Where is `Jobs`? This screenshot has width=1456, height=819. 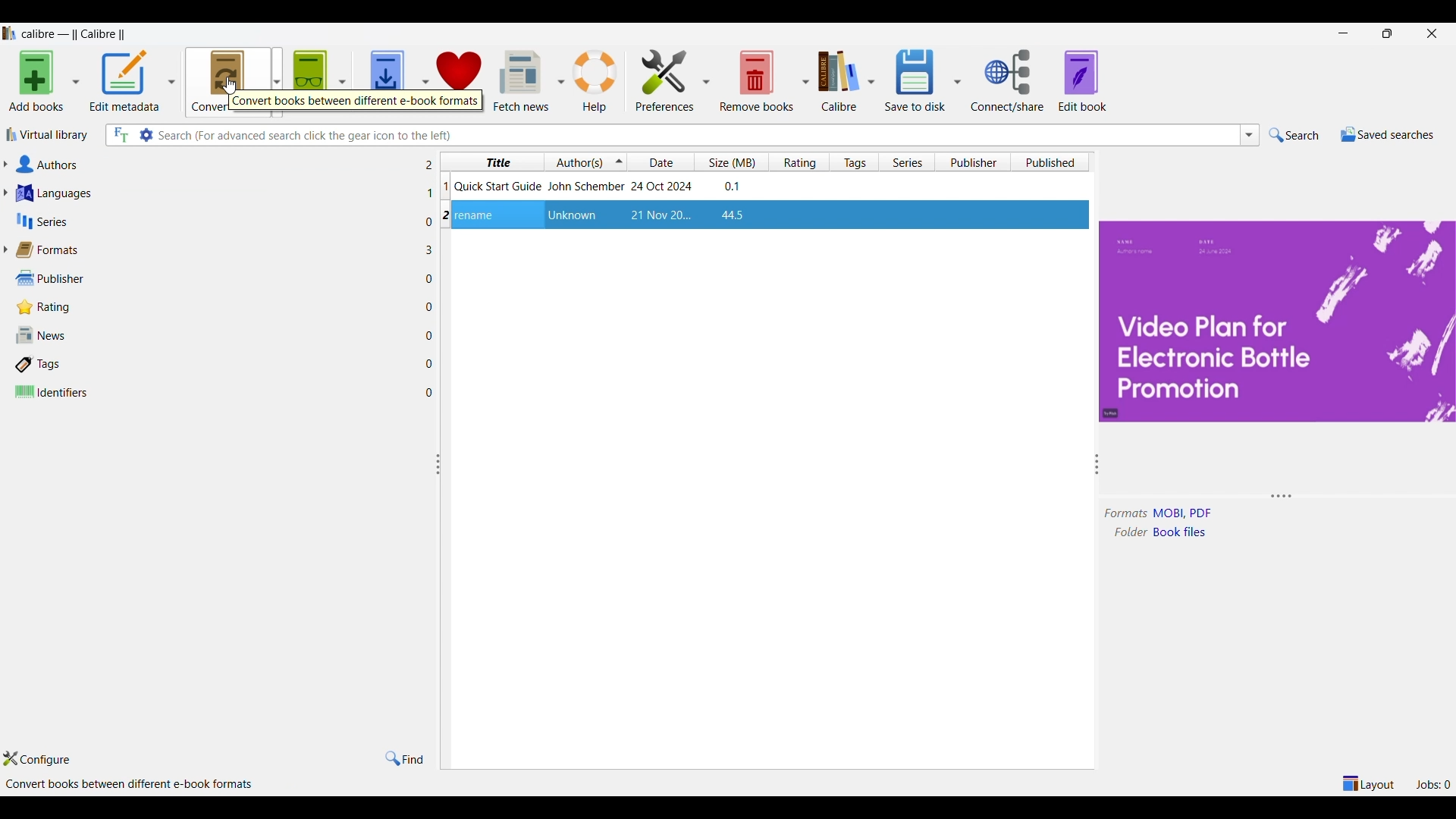 Jobs is located at coordinates (1432, 784).